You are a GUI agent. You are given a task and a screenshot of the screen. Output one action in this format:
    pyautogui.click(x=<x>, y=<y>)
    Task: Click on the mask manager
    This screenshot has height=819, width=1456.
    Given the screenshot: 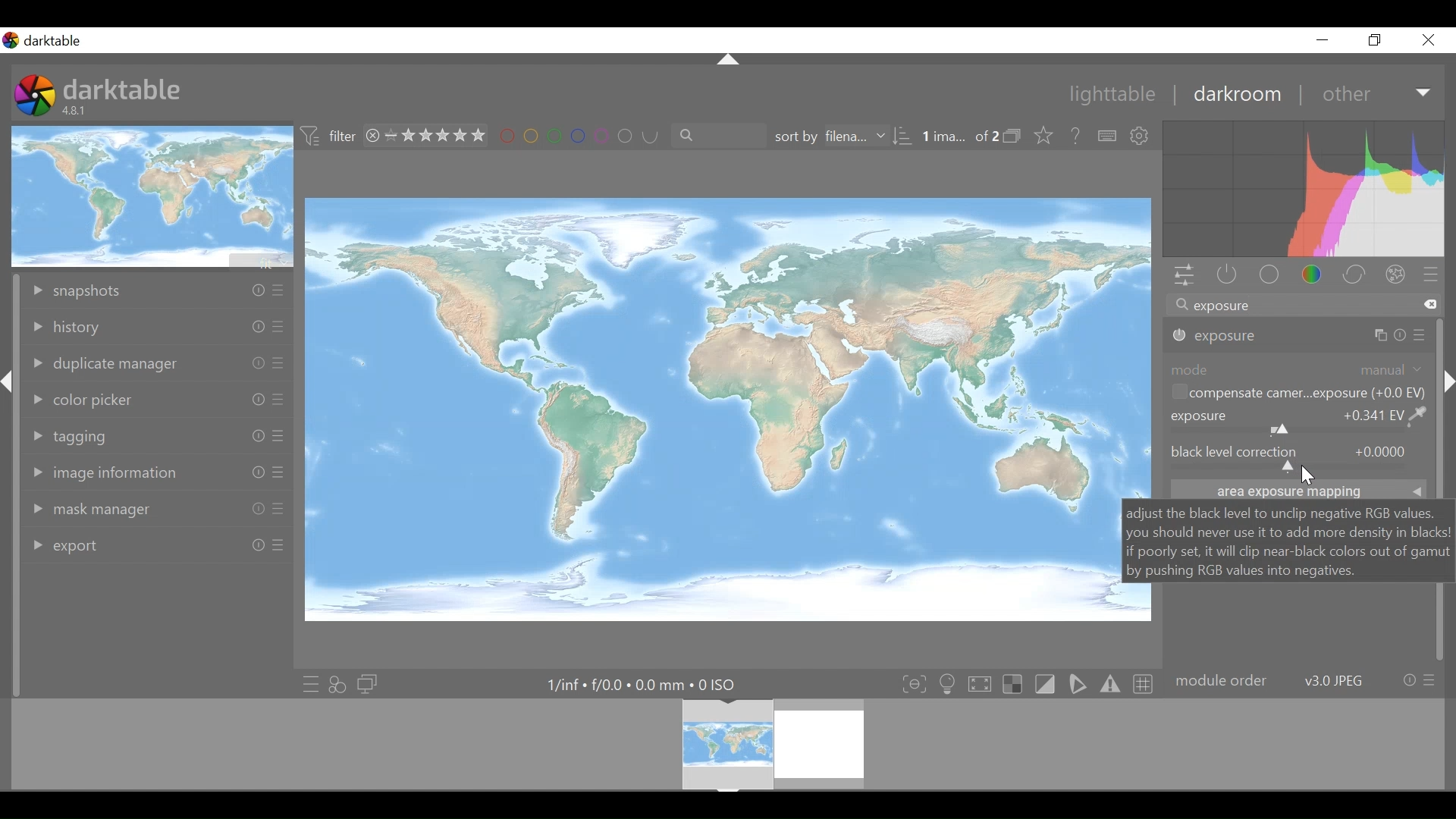 What is the action you would take?
    pyautogui.click(x=155, y=509)
    